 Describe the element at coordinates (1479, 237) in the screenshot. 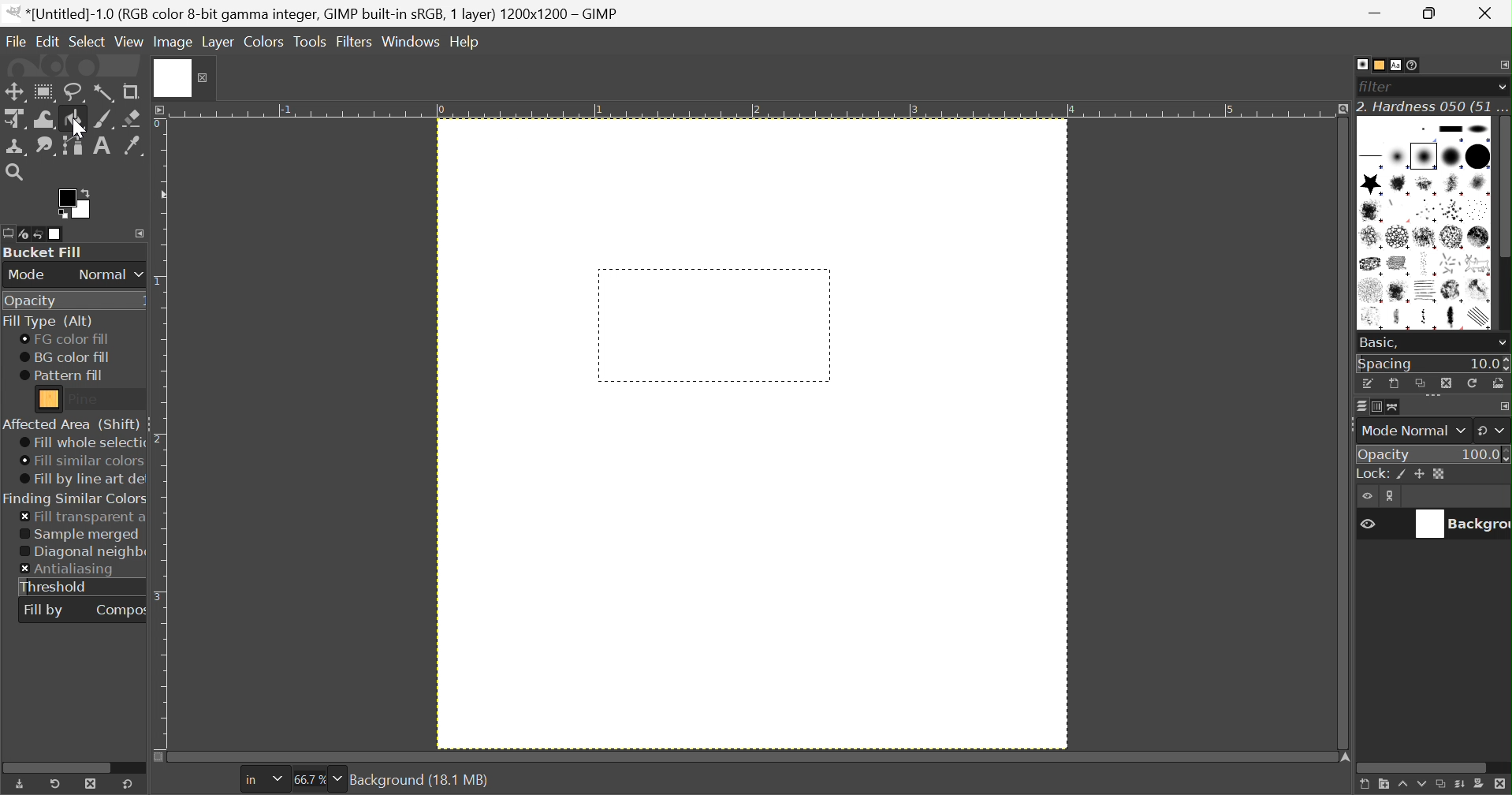

I see `Chalk 03` at that location.